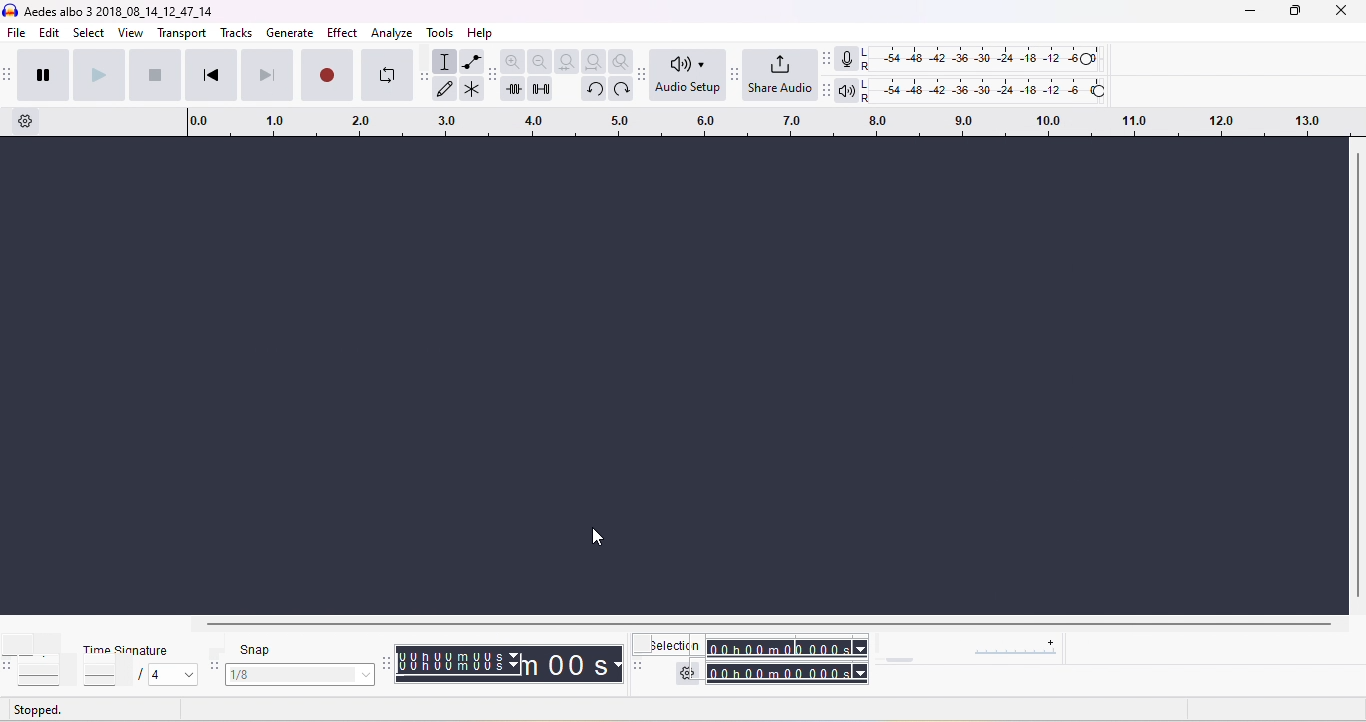 The image size is (1366, 722). I want to click on select time signatur, so click(143, 676).